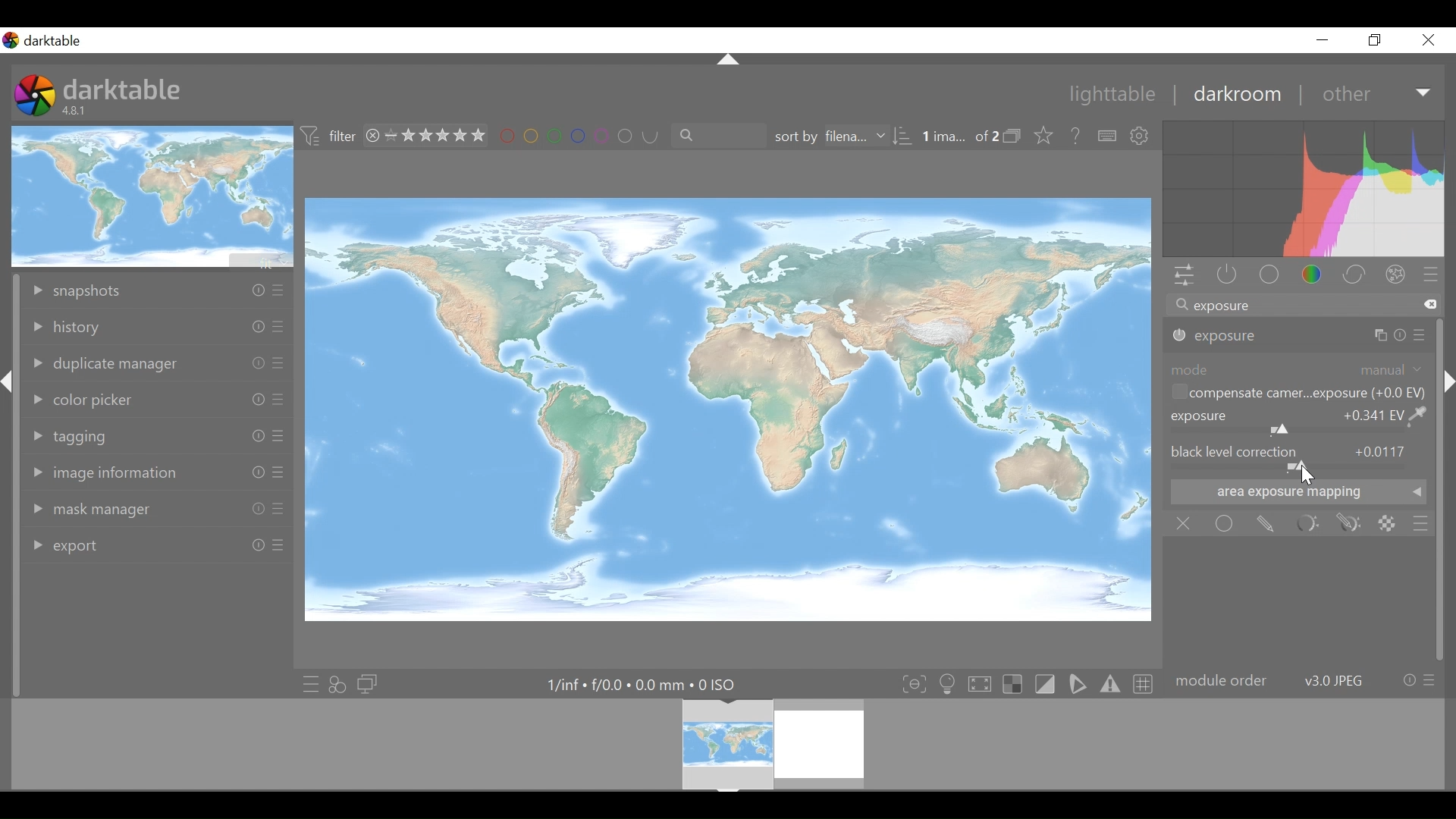 The image size is (1456, 819). I want to click on Lightable, so click(1105, 93).